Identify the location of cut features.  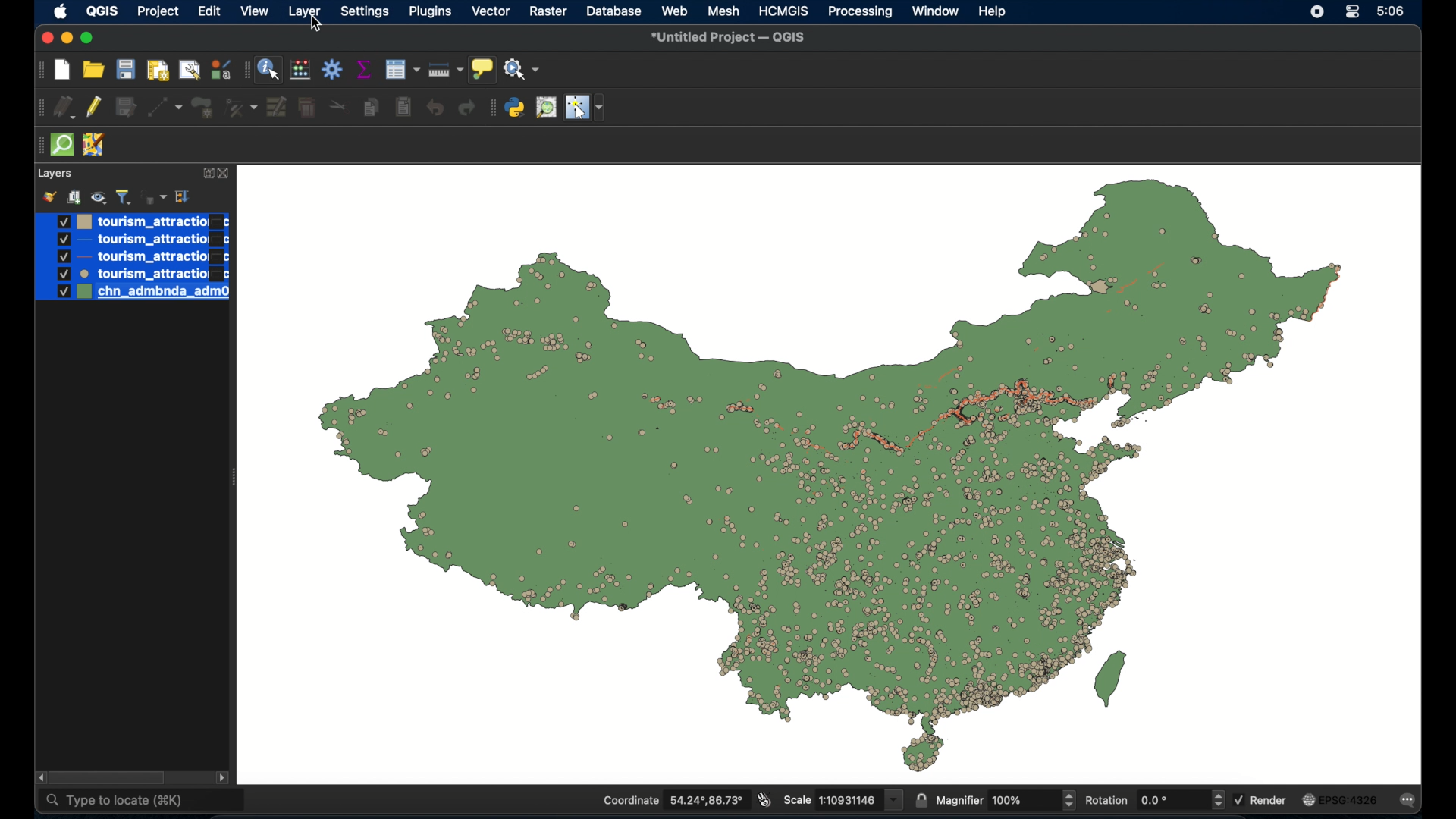
(340, 105).